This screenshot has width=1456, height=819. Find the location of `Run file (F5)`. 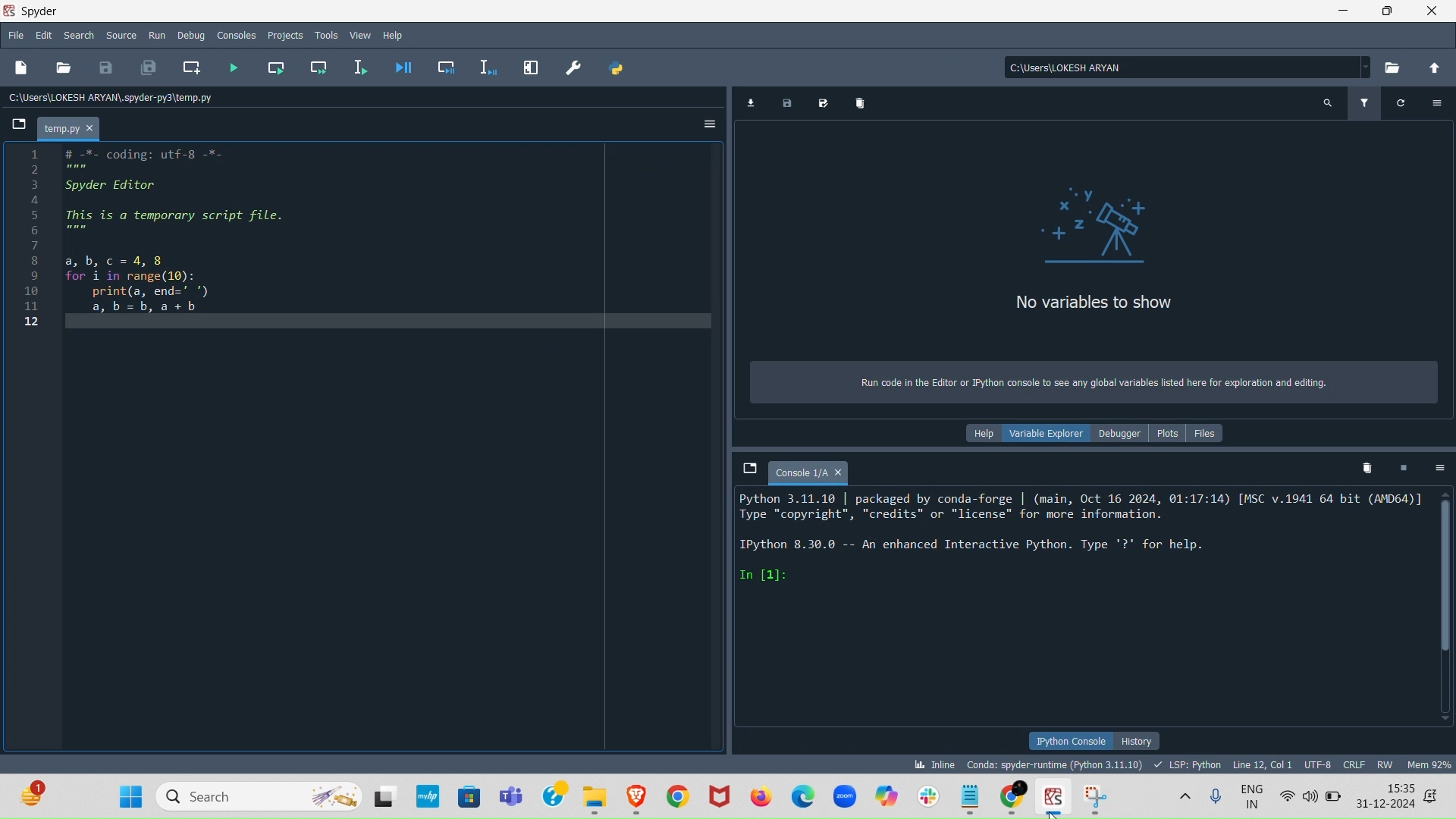

Run file (F5) is located at coordinates (232, 63).